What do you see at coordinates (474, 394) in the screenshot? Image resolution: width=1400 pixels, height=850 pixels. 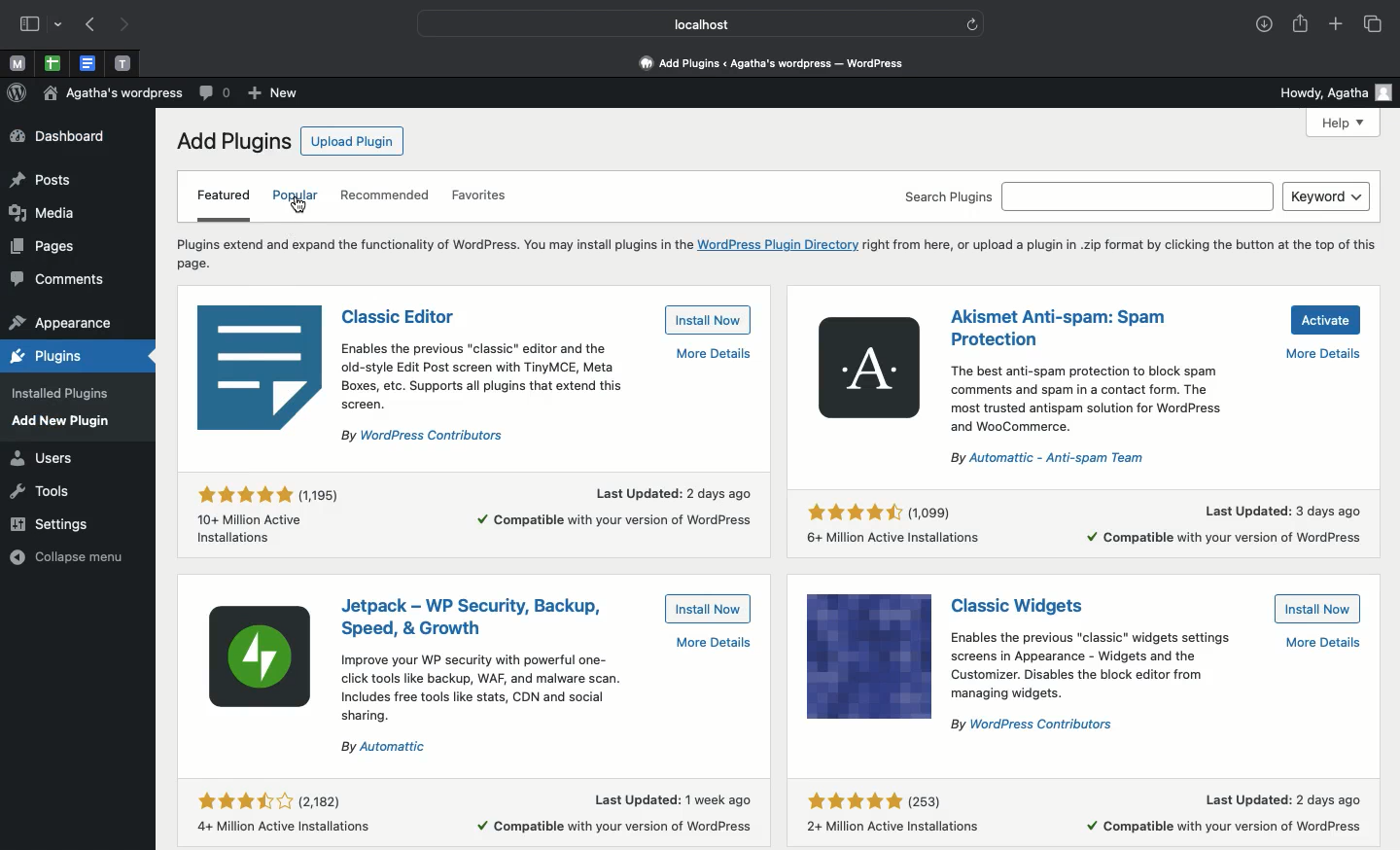 I see `Instructional text` at bounding box center [474, 394].